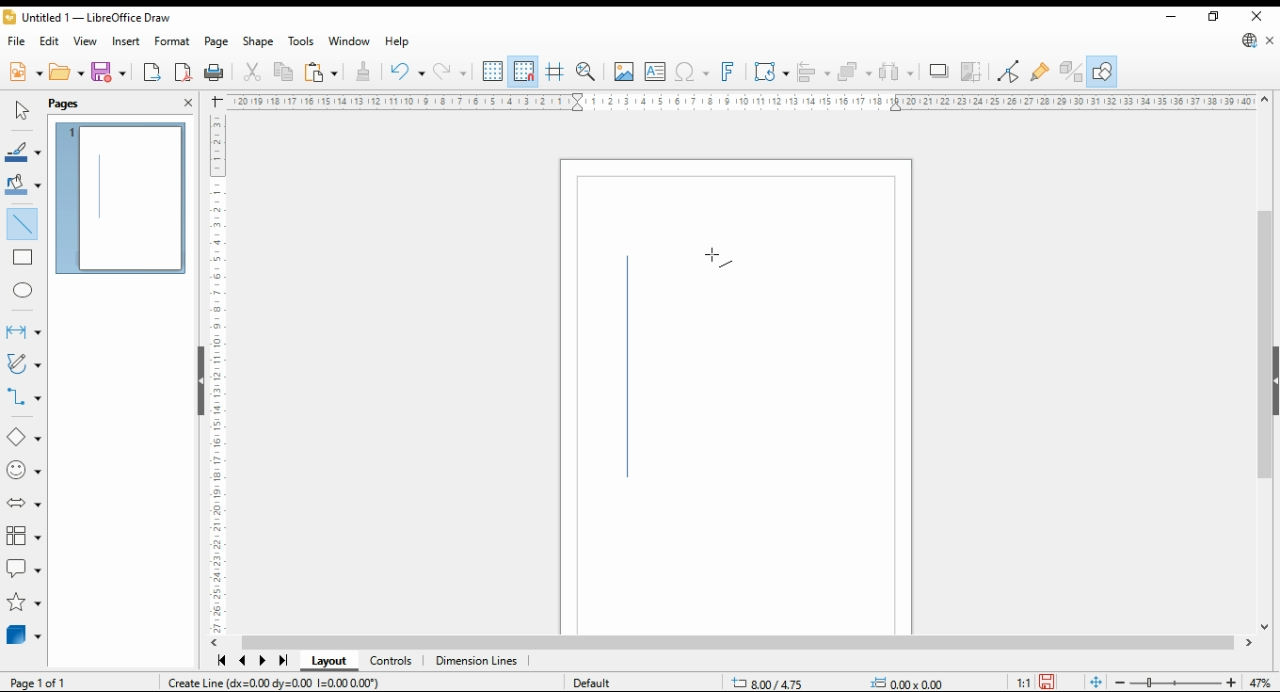  Describe the element at coordinates (1010, 69) in the screenshot. I see `toggle point edit mode` at that location.